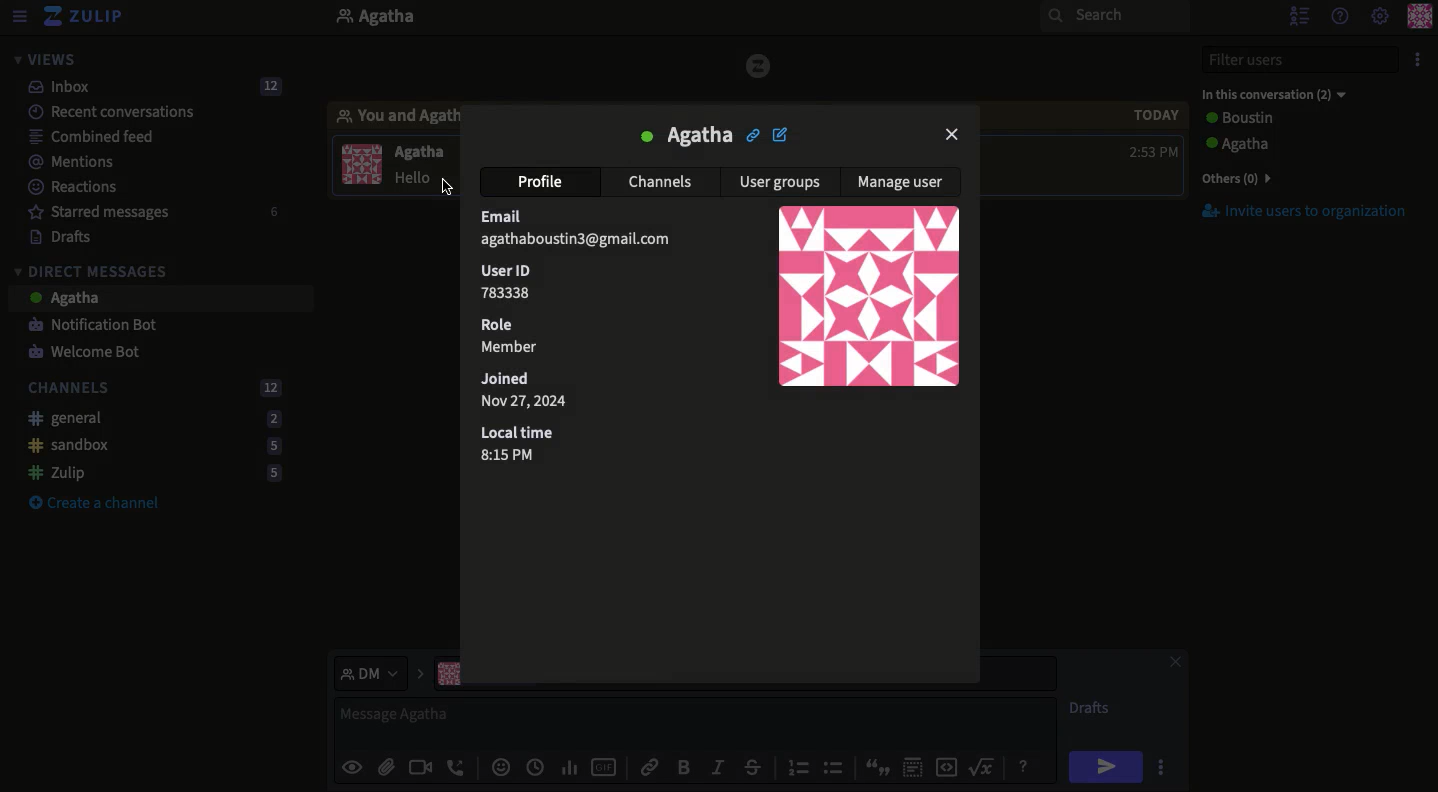 This screenshot has width=1438, height=792. Describe the element at coordinates (394, 115) in the screenshot. I see `you and agatha` at that location.